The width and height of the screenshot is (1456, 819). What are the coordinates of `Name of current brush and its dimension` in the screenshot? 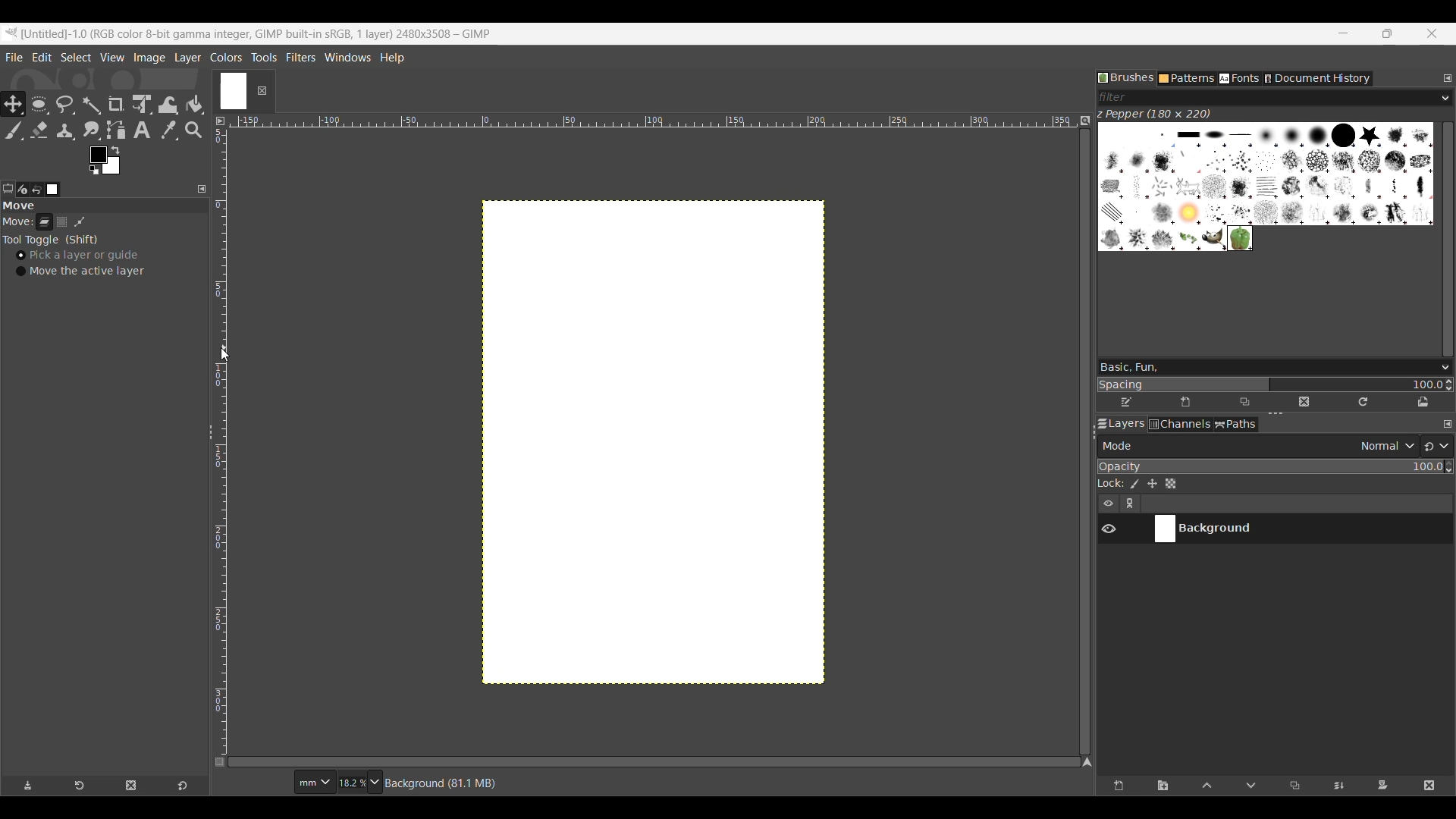 It's located at (1153, 115).